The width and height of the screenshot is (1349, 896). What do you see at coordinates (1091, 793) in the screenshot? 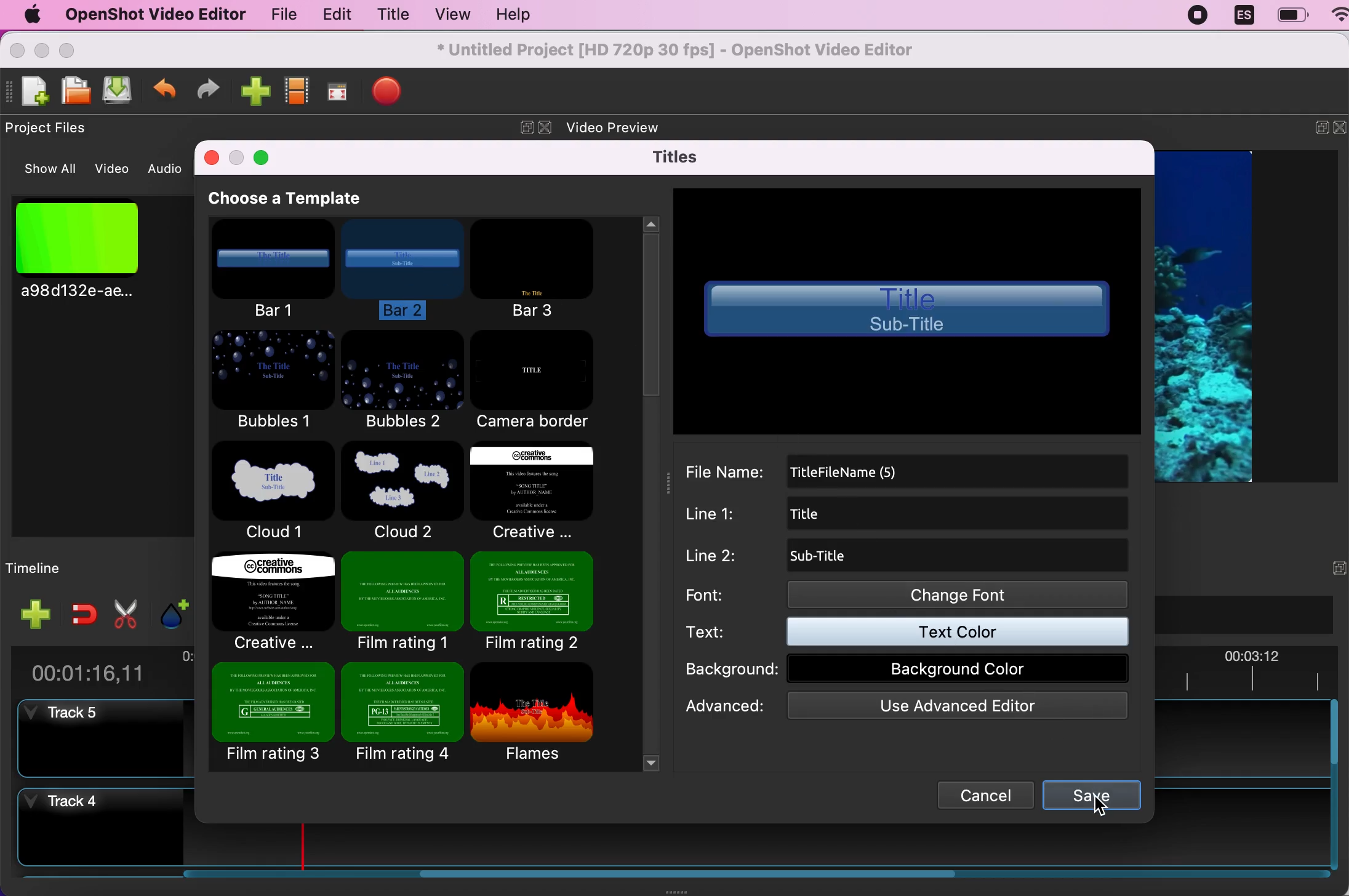
I see `save` at bounding box center [1091, 793].